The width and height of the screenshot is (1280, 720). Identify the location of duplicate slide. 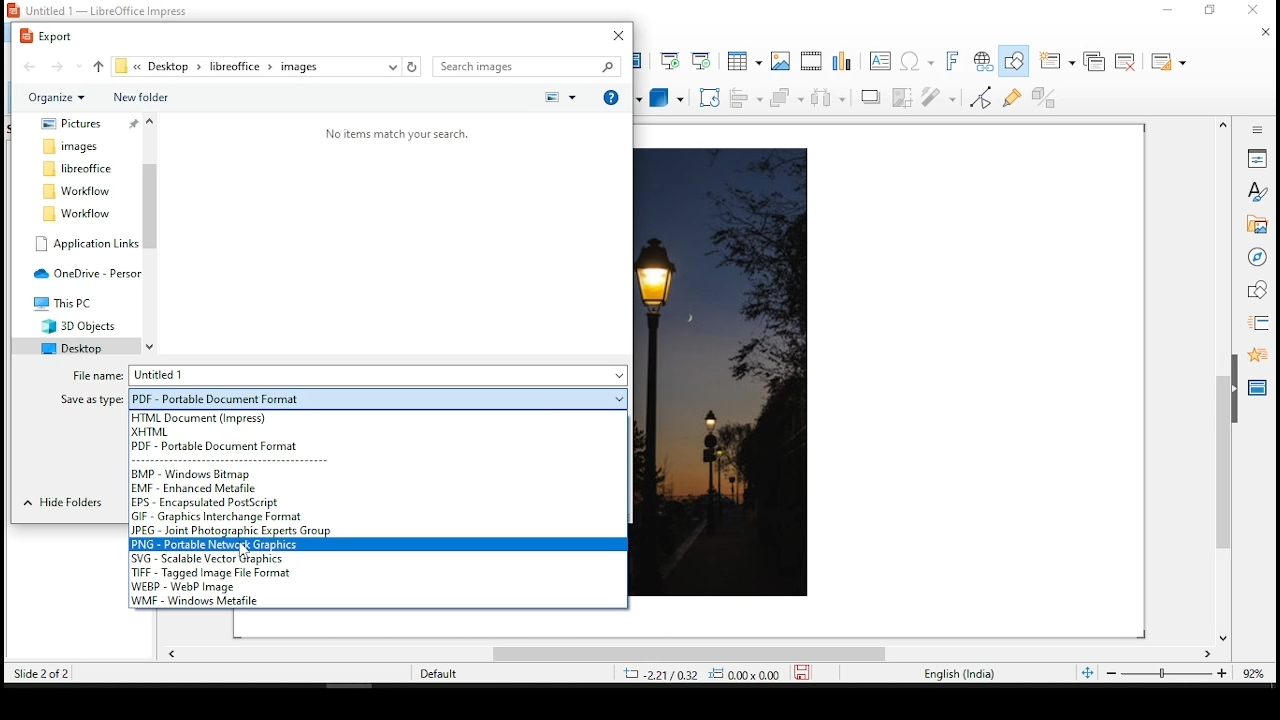
(1096, 63).